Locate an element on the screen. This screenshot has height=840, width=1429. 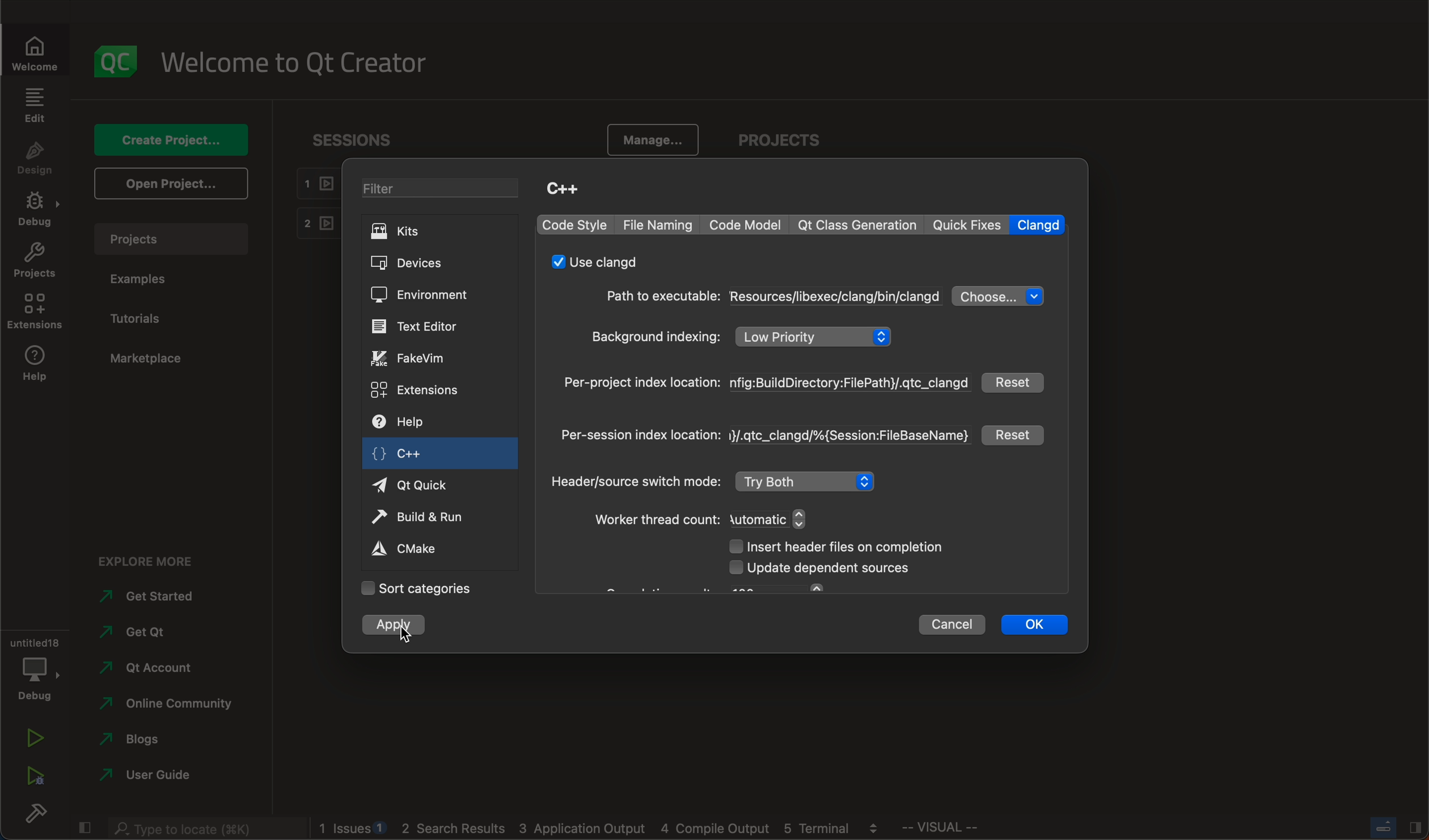
logo is located at coordinates (113, 58).